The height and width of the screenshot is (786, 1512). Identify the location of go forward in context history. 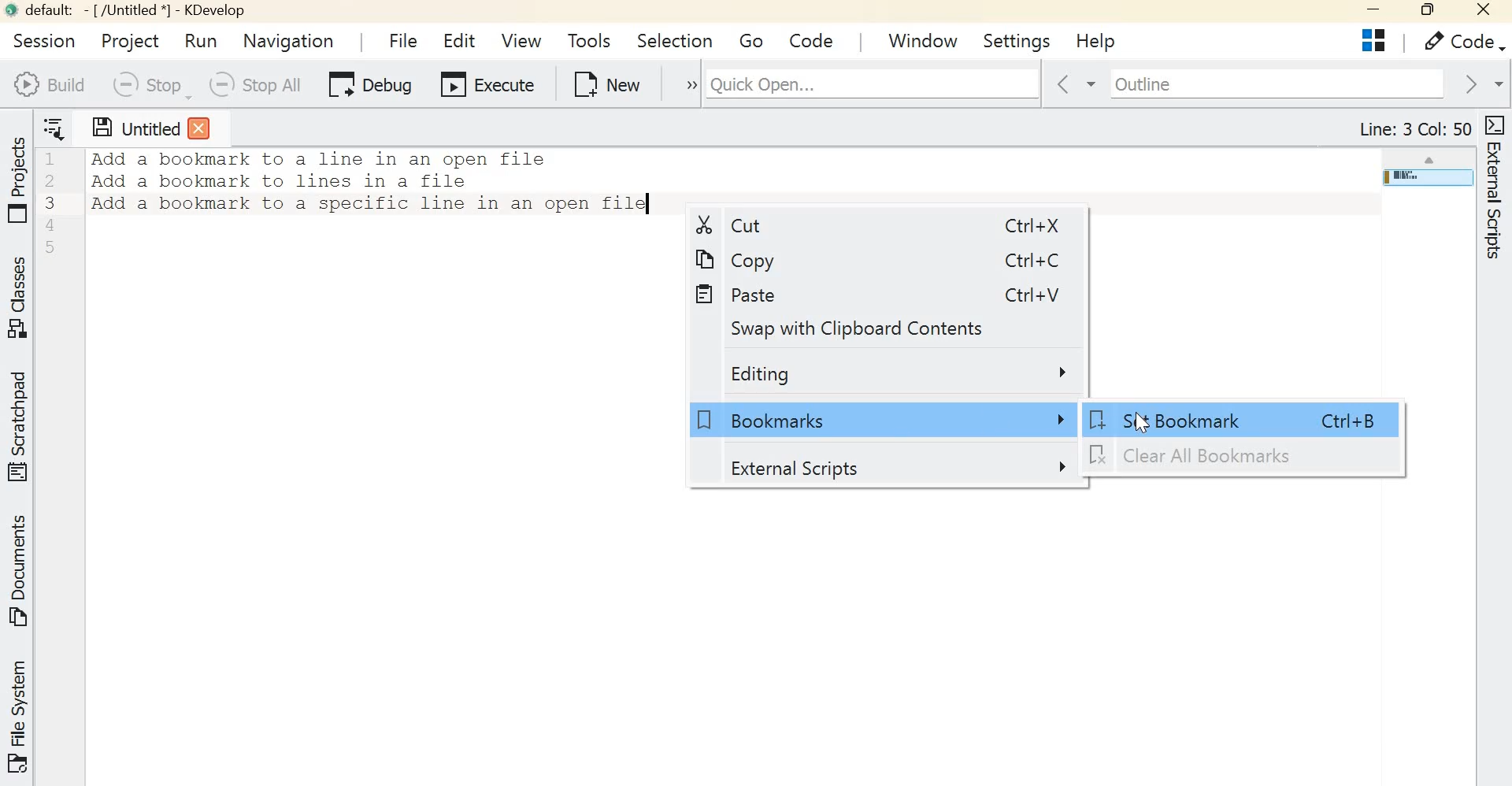
(1480, 83).